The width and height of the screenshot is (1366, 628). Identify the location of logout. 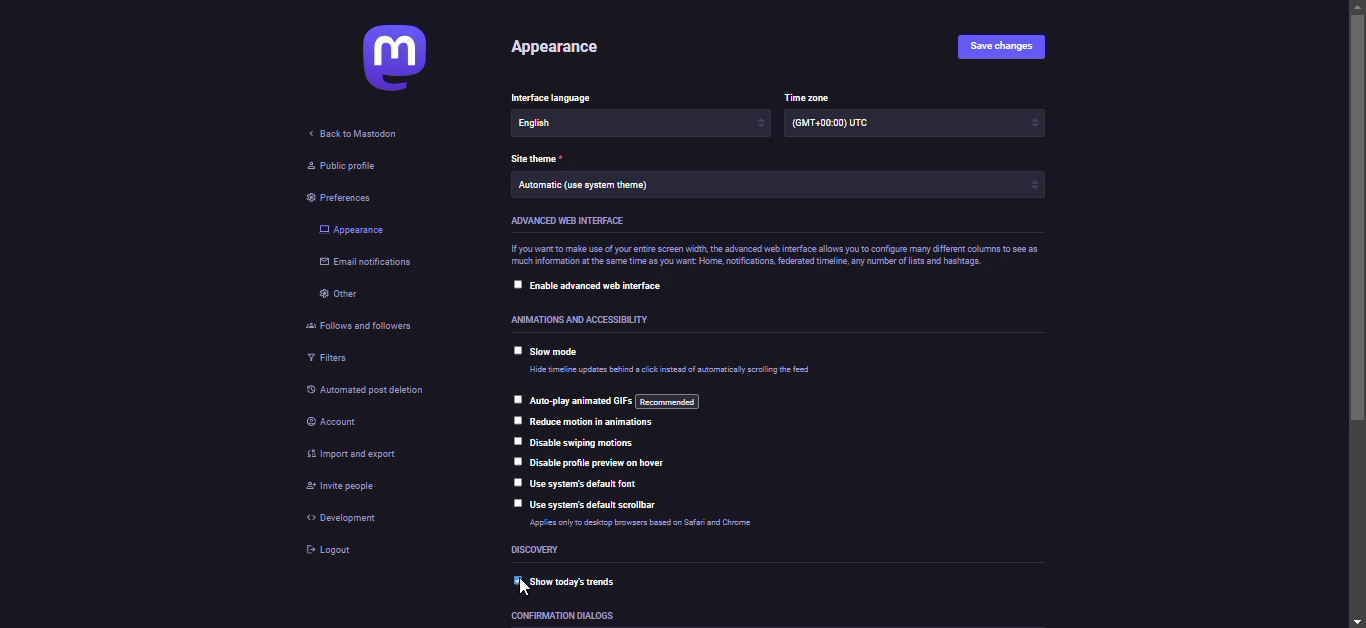
(333, 551).